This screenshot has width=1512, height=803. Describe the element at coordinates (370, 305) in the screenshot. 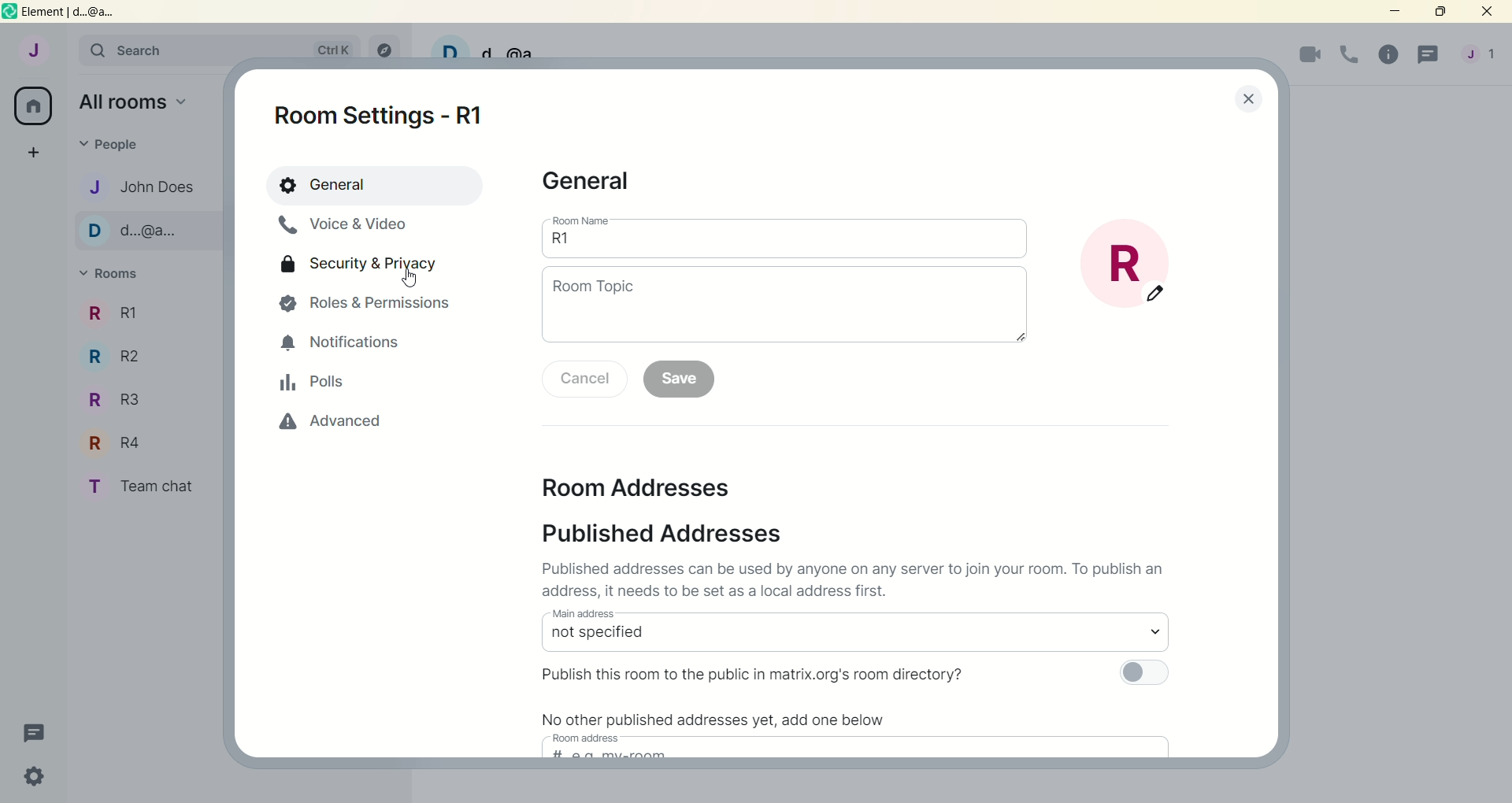

I see `roles and permissions` at that location.